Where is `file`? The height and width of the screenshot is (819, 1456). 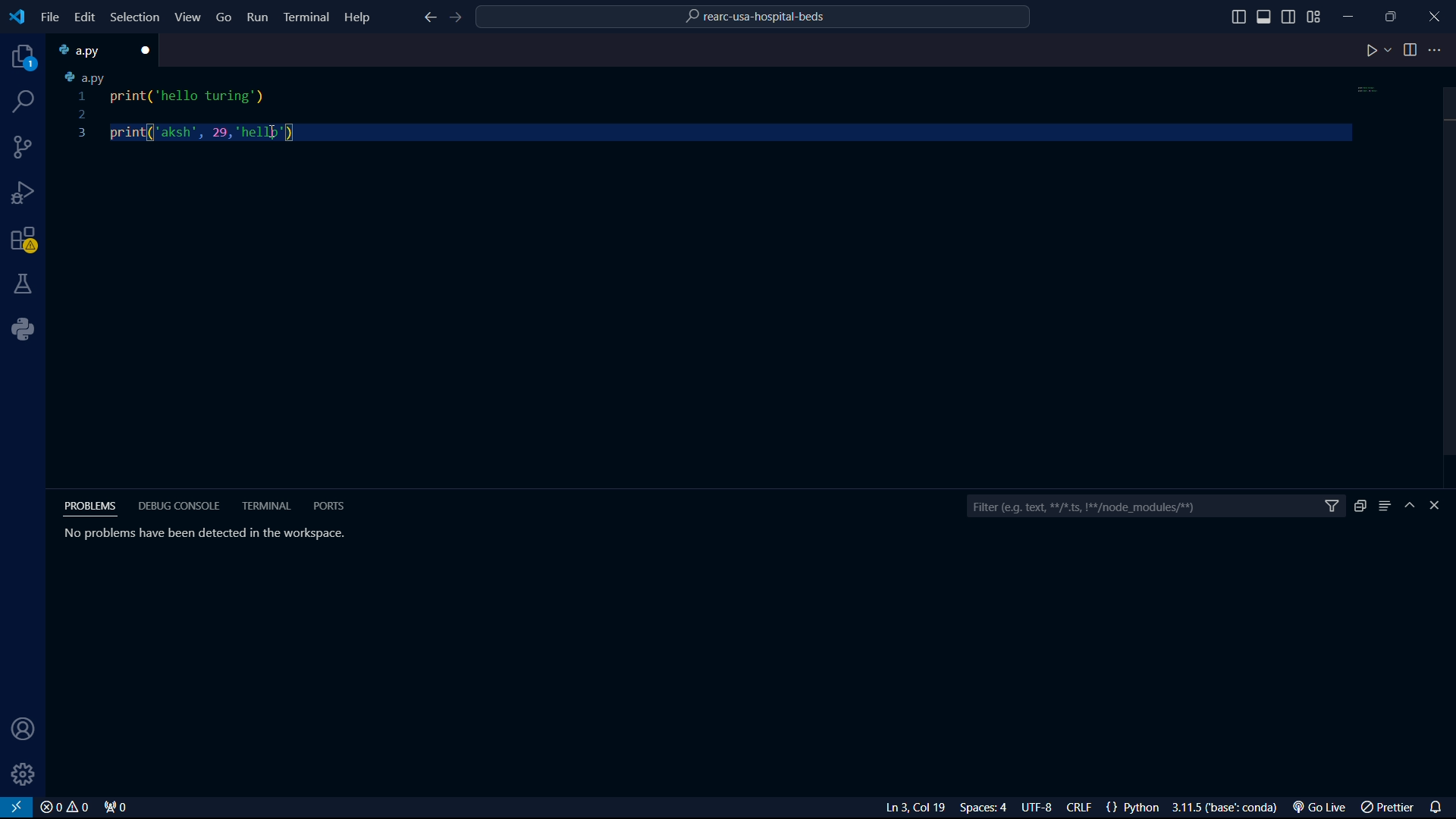
file is located at coordinates (50, 17).